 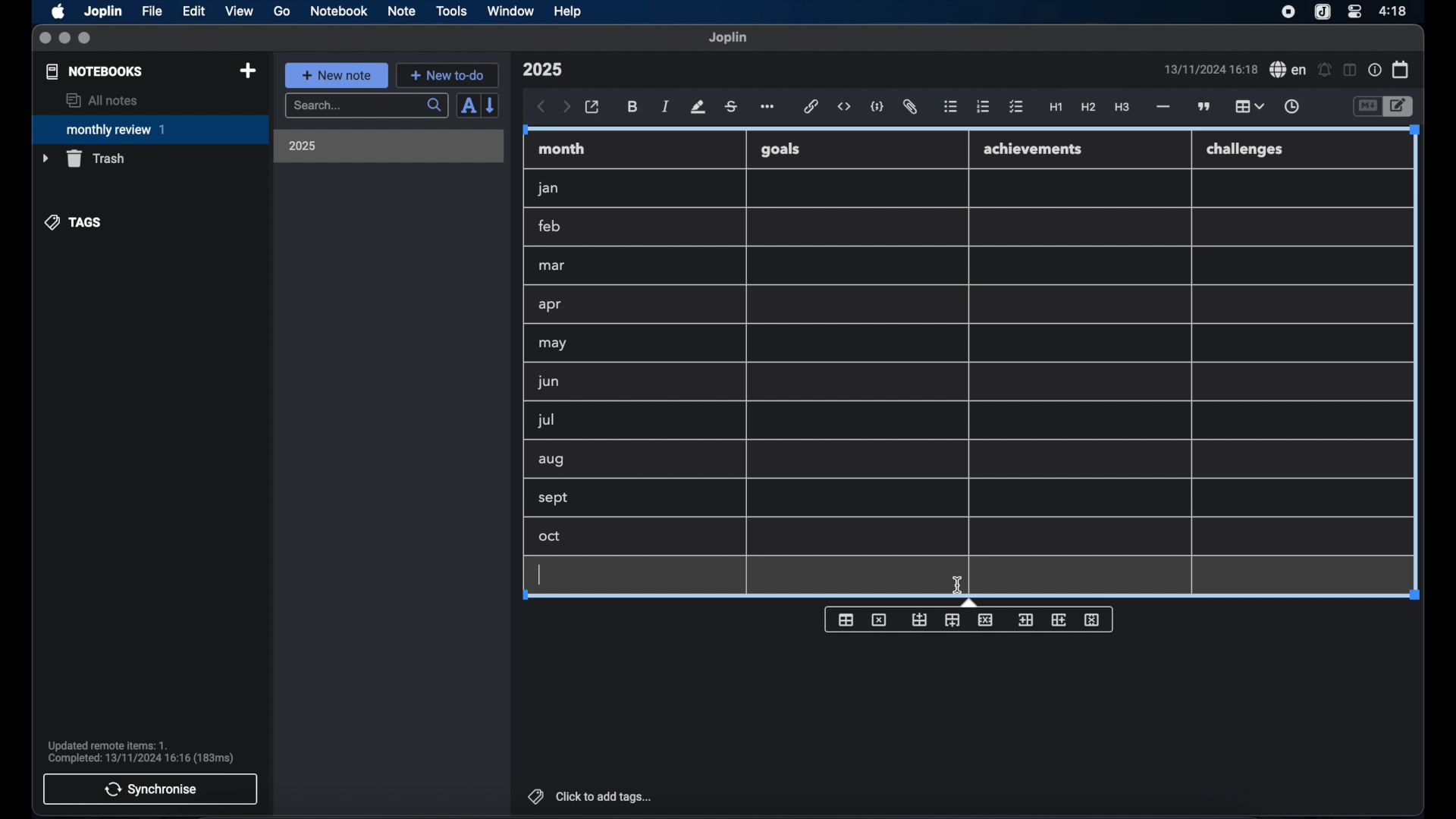 I want to click on aug, so click(x=551, y=461).